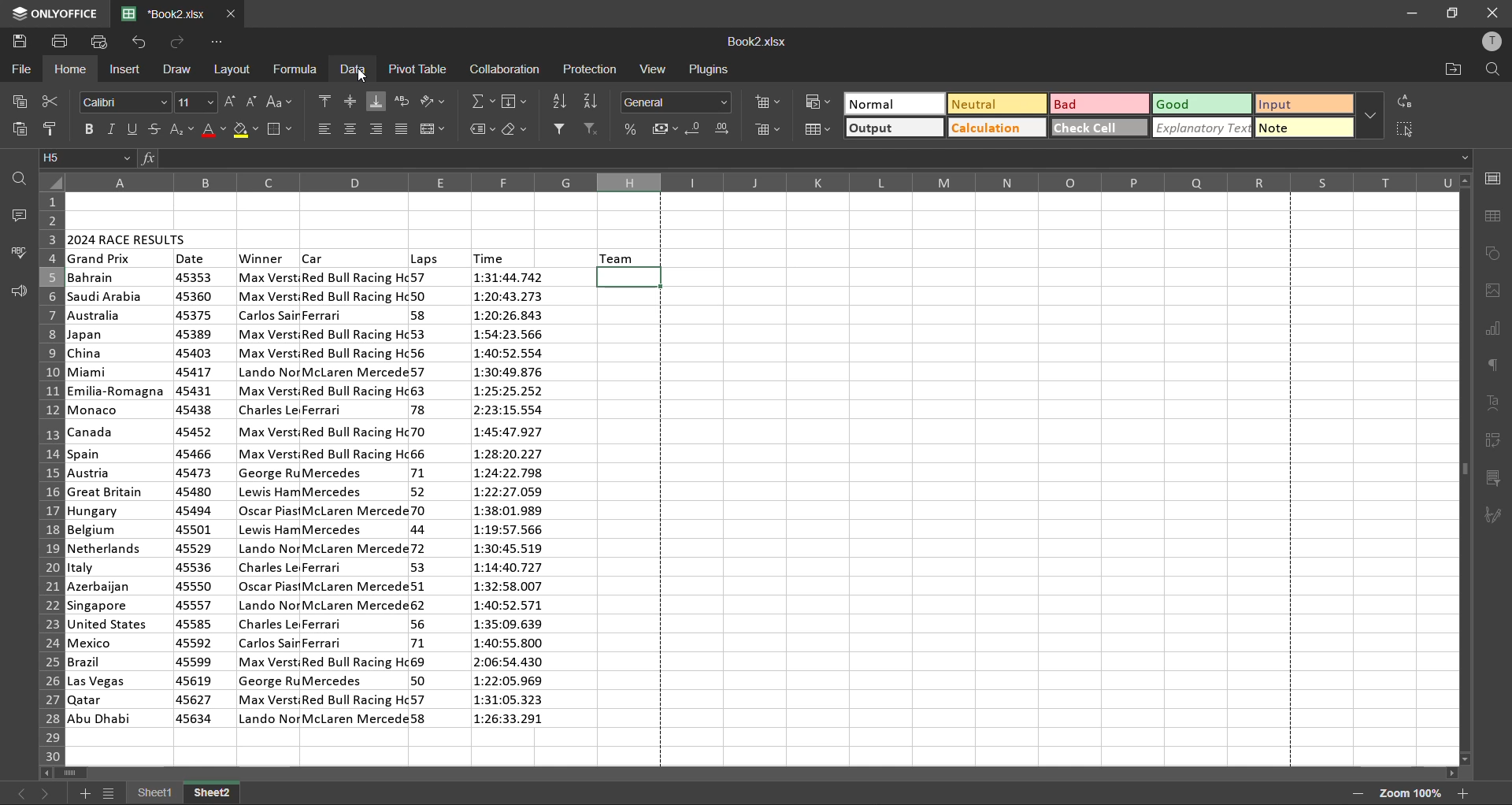  Describe the element at coordinates (246, 131) in the screenshot. I see `fill color` at that location.